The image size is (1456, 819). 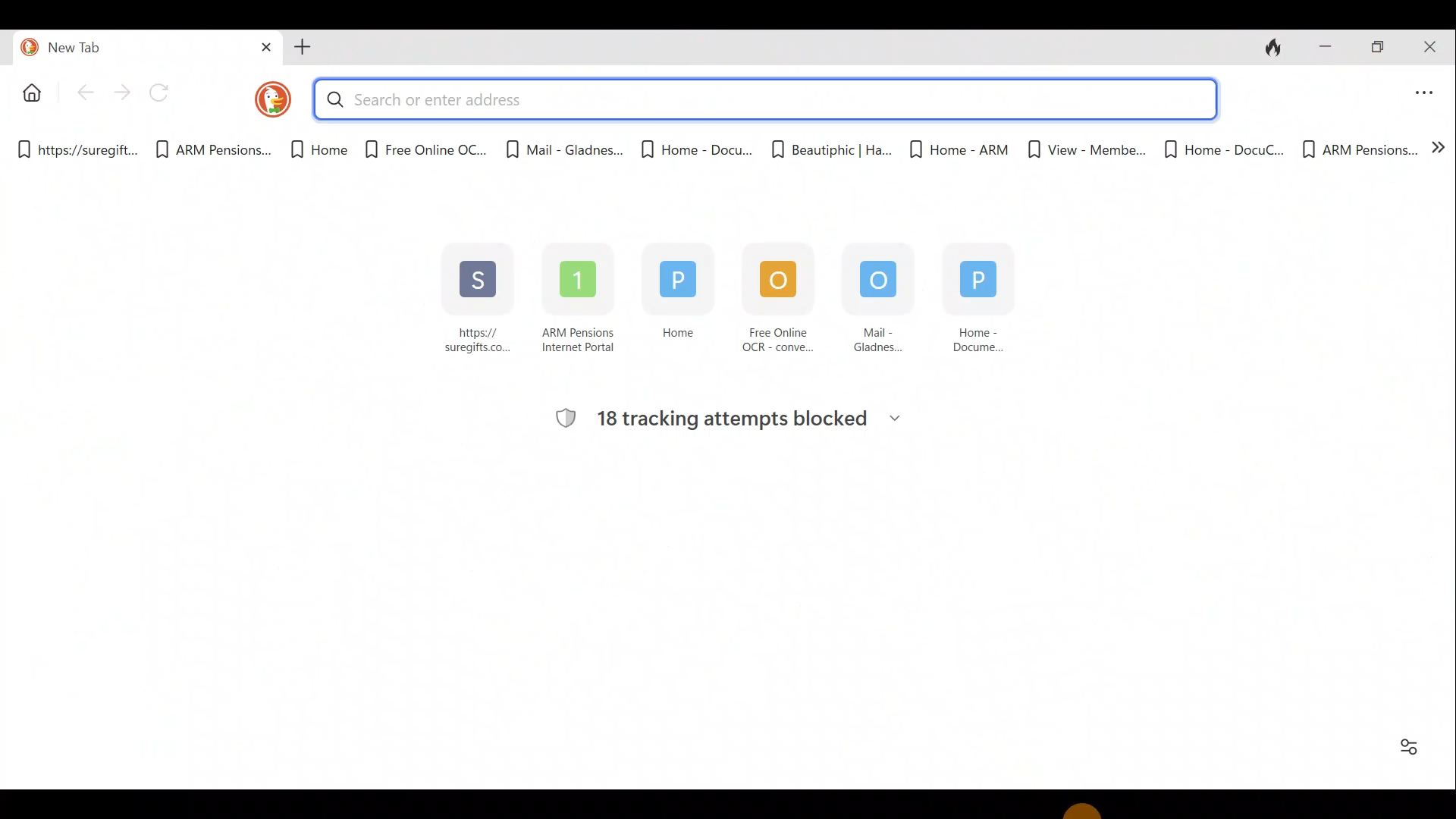 What do you see at coordinates (563, 411) in the screenshot?
I see `tracking logo` at bounding box center [563, 411].